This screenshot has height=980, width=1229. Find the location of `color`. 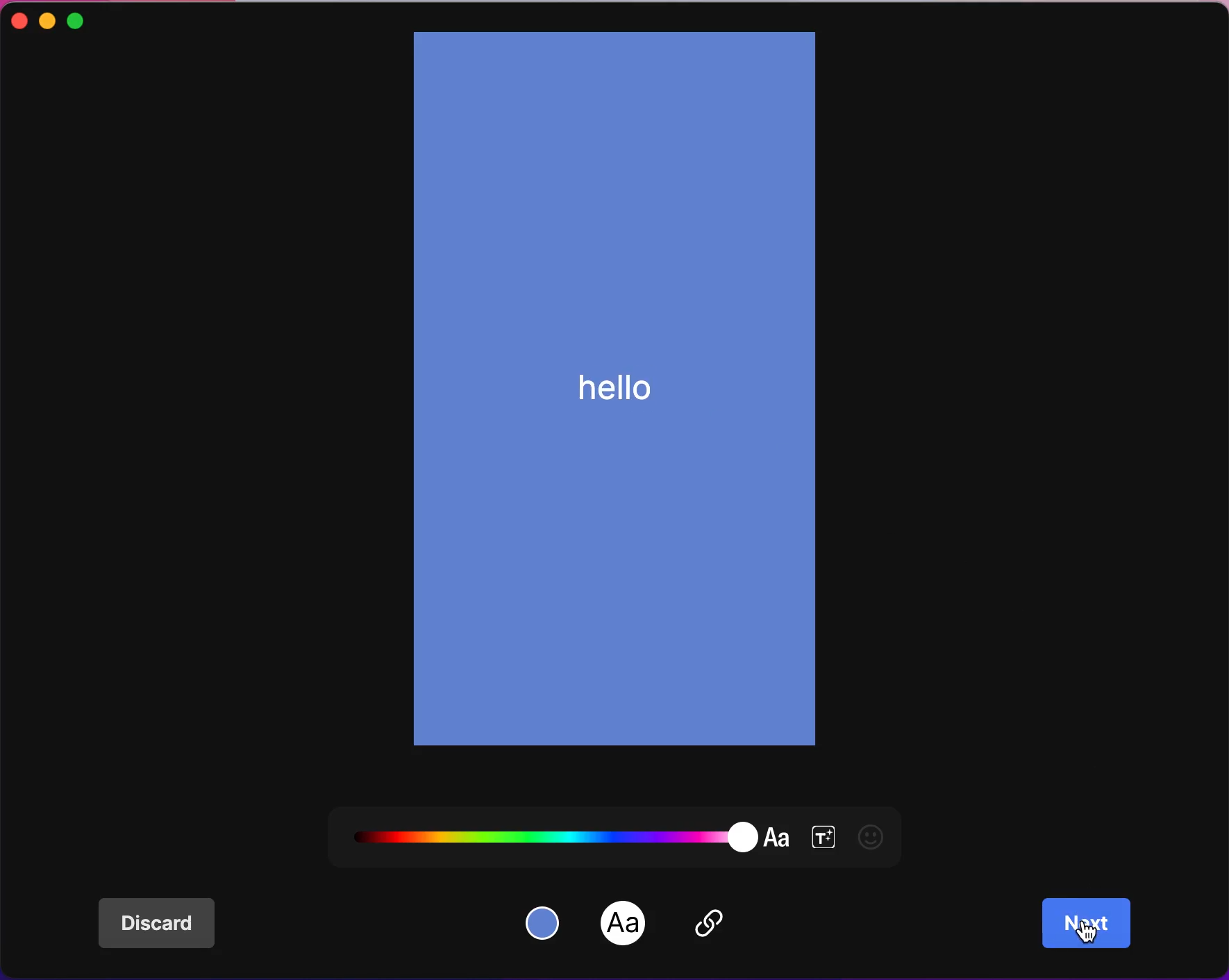

color is located at coordinates (546, 921).